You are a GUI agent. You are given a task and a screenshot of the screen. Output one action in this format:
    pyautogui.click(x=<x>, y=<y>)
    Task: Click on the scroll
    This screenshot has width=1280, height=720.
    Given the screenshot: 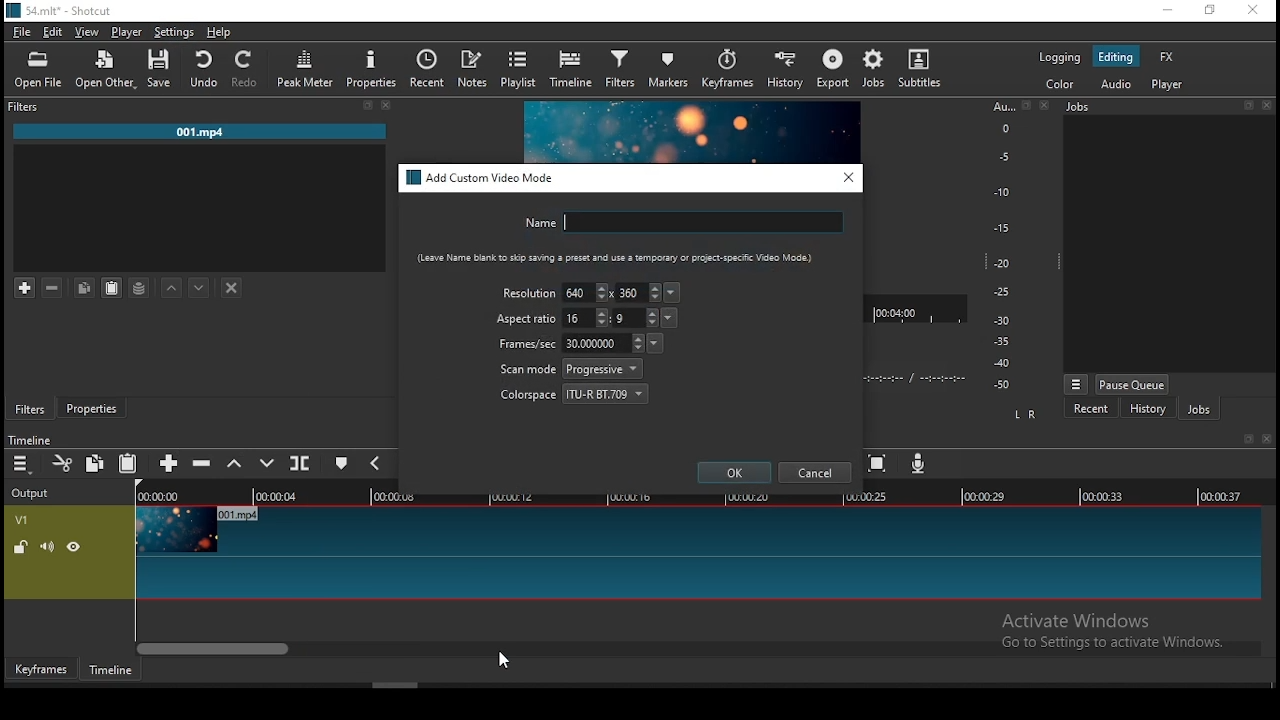 What is the action you would take?
    pyautogui.click(x=395, y=685)
    